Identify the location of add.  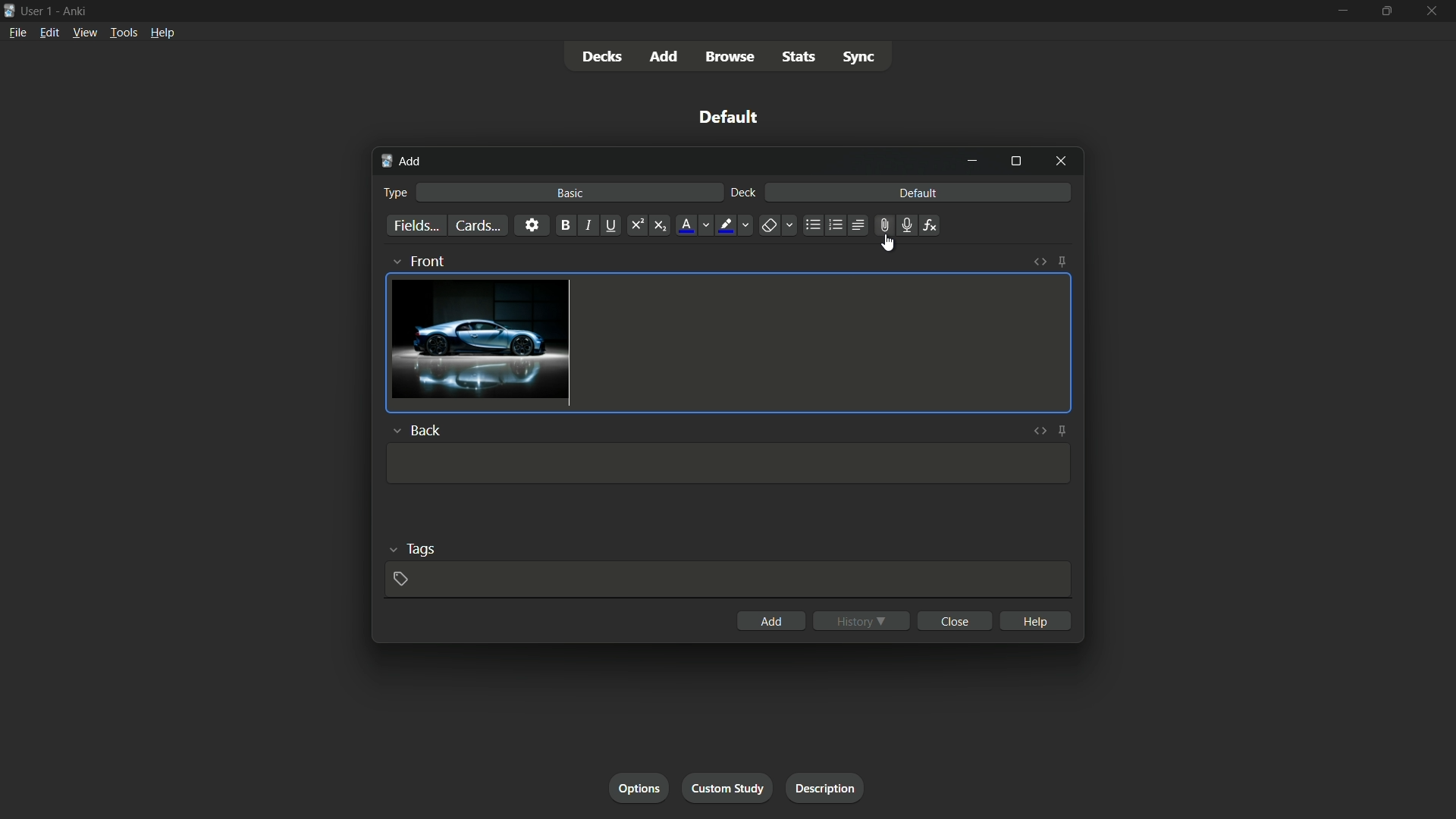
(662, 56).